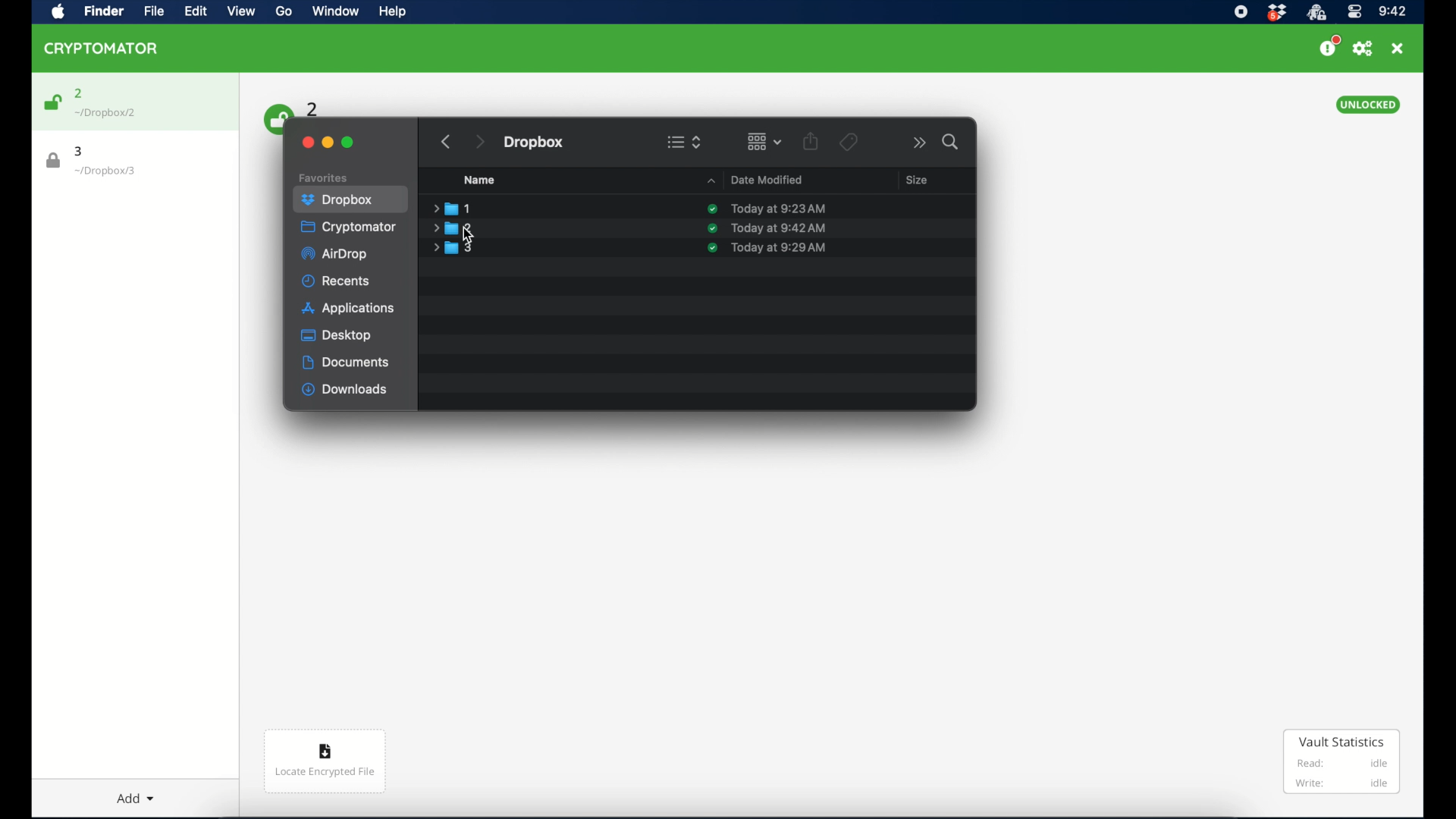 The height and width of the screenshot is (819, 1456). I want to click on control  center, so click(1354, 12).